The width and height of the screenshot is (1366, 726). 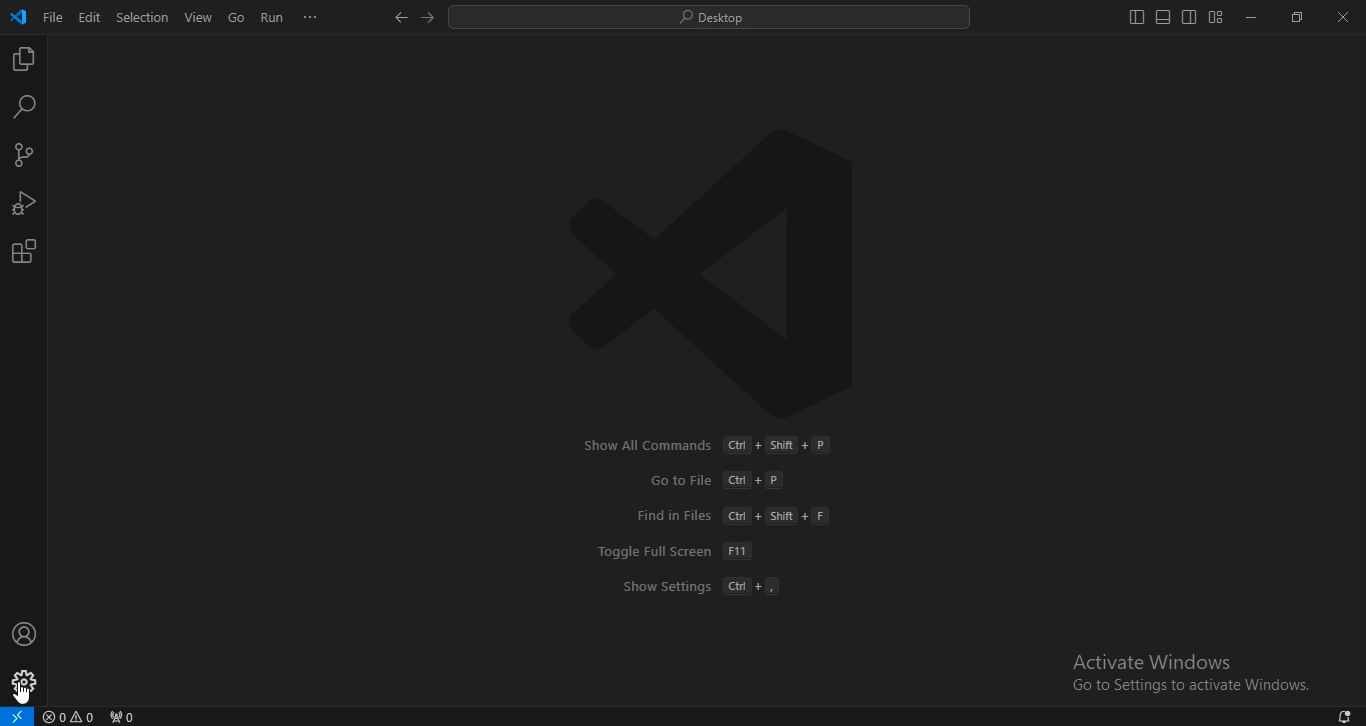 What do you see at coordinates (26, 108) in the screenshot?
I see `search` at bounding box center [26, 108].